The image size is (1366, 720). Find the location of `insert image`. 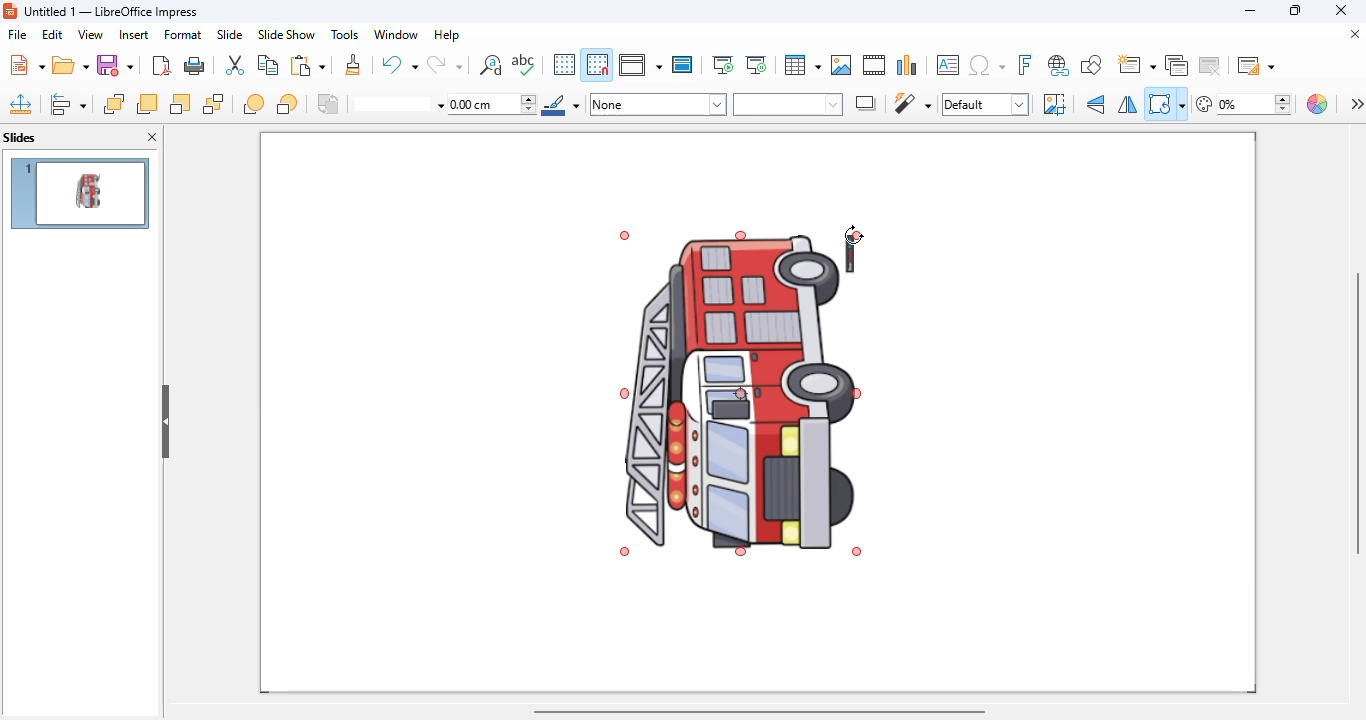

insert image is located at coordinates (841, 65).